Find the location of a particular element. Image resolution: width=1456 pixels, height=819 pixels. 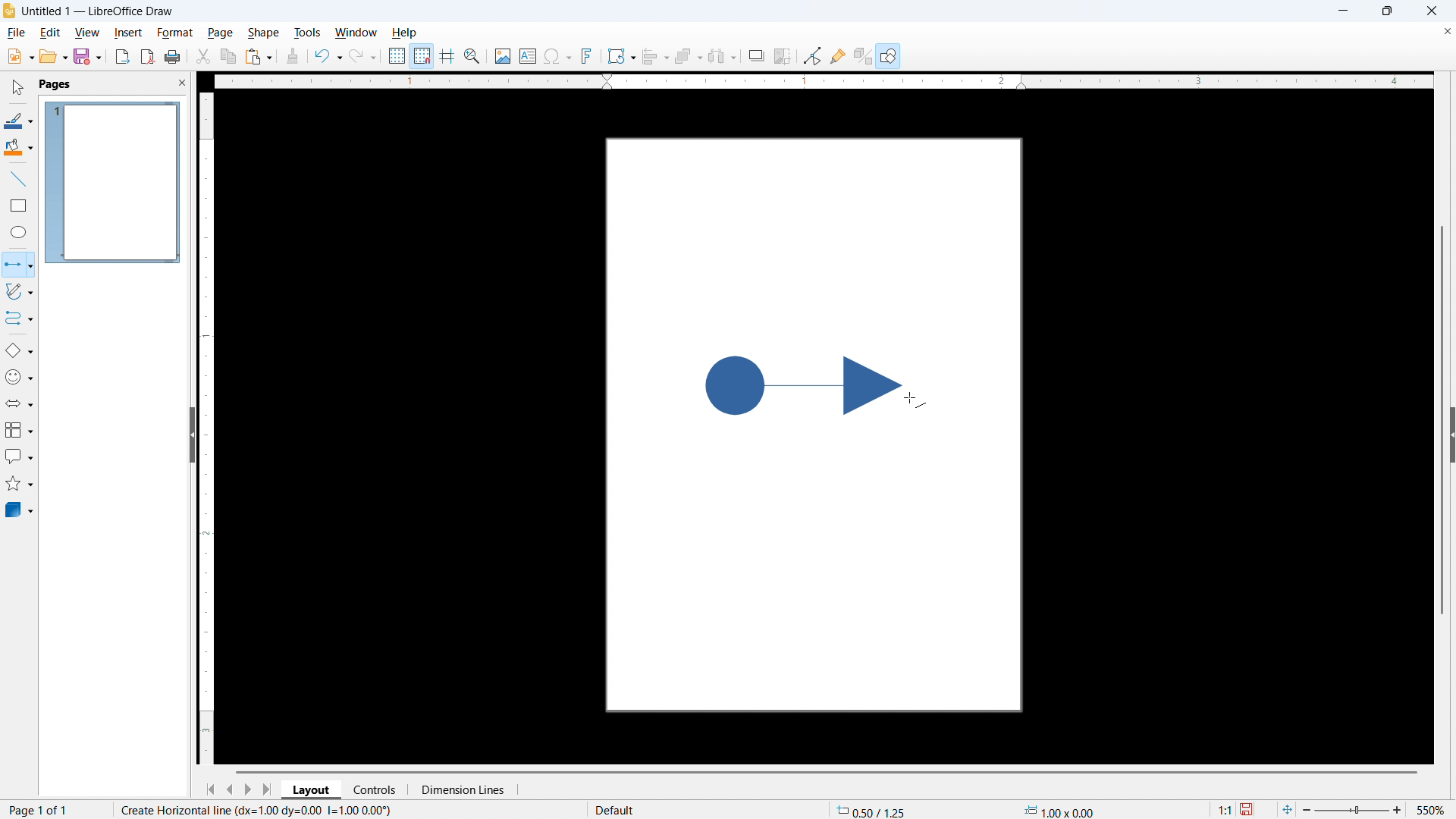

Dimension lines  is located at coordinates (462, 790).